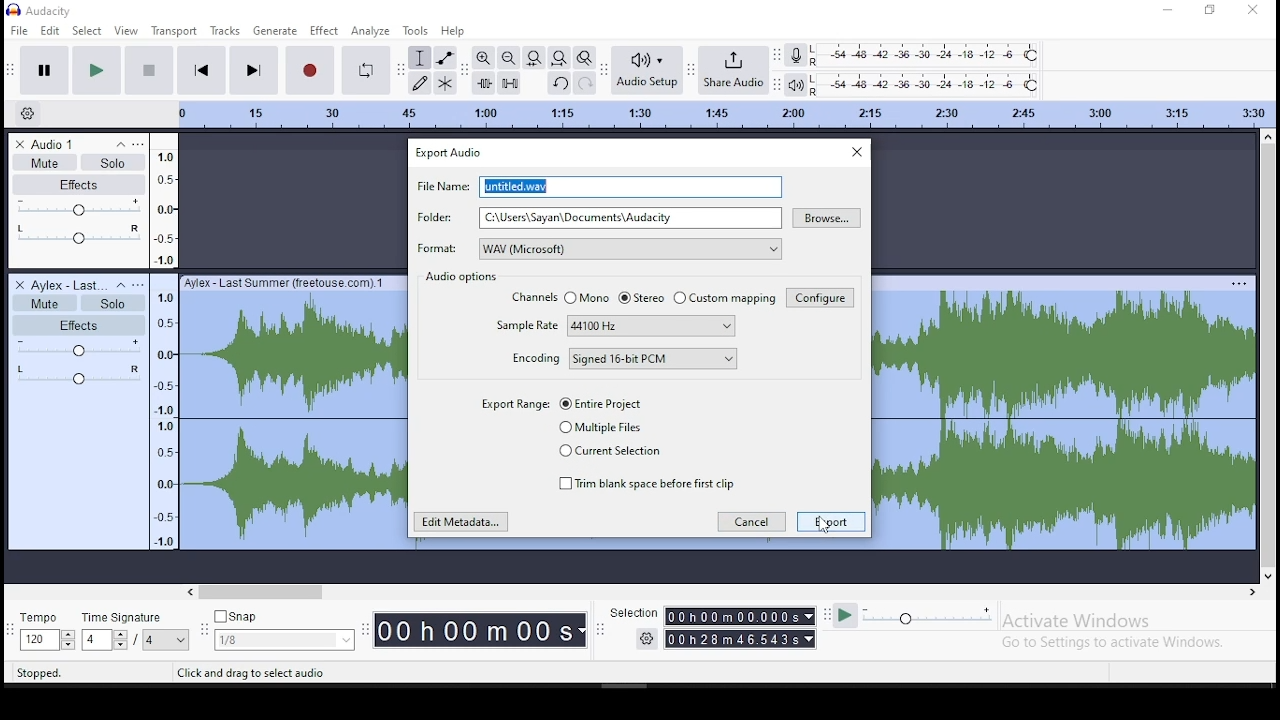 This screenshot has height=720, width=1280. What do you see at coordinates (368, 71) in the screenshot?
I see `enable looping` at bounding box center [368, 71].